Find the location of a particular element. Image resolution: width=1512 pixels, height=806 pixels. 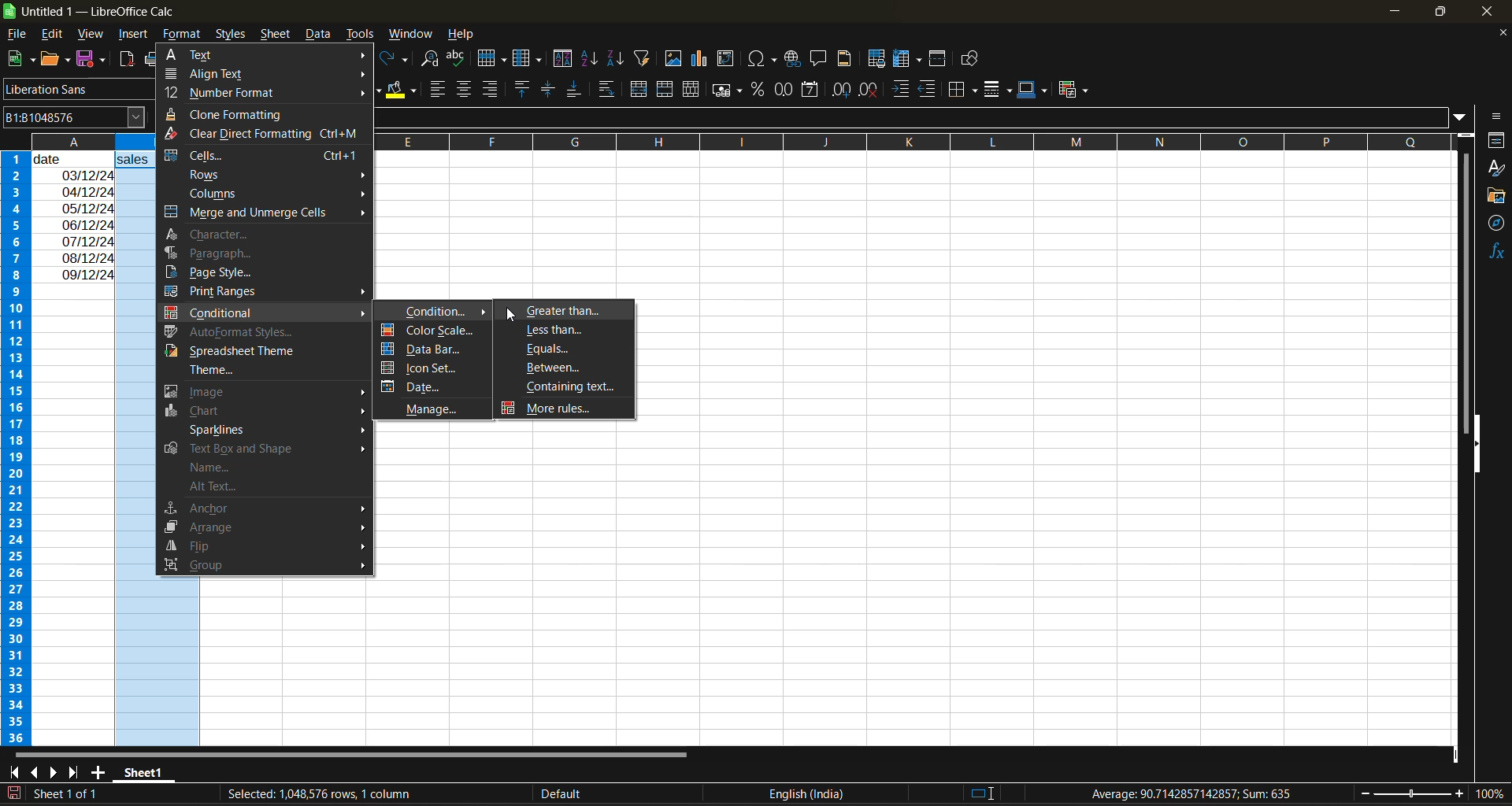

containing text is located at coordinates (569, 388).